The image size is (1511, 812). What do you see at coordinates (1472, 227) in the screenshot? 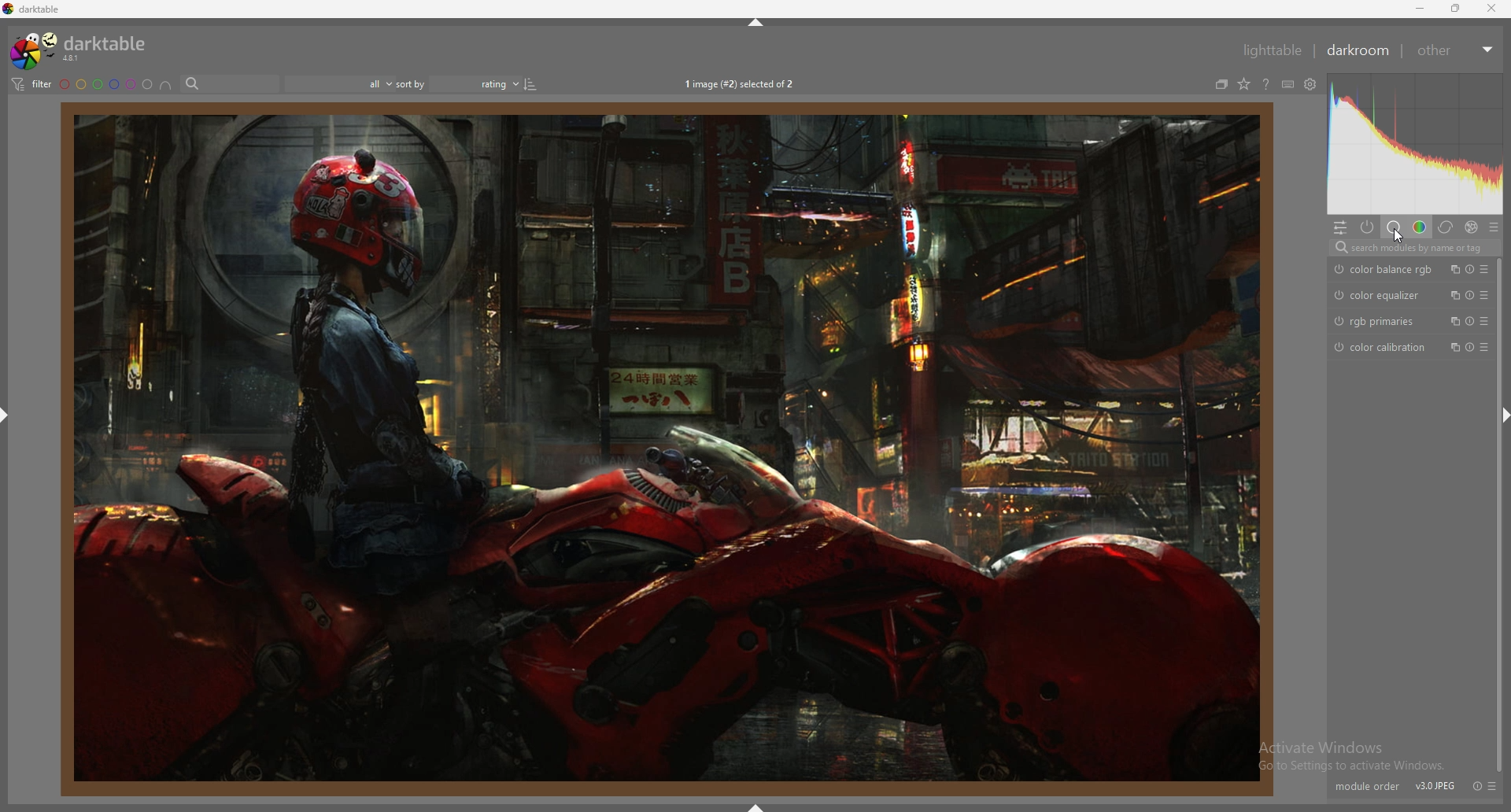
I see `effect` at bounding box center [1472, 227].